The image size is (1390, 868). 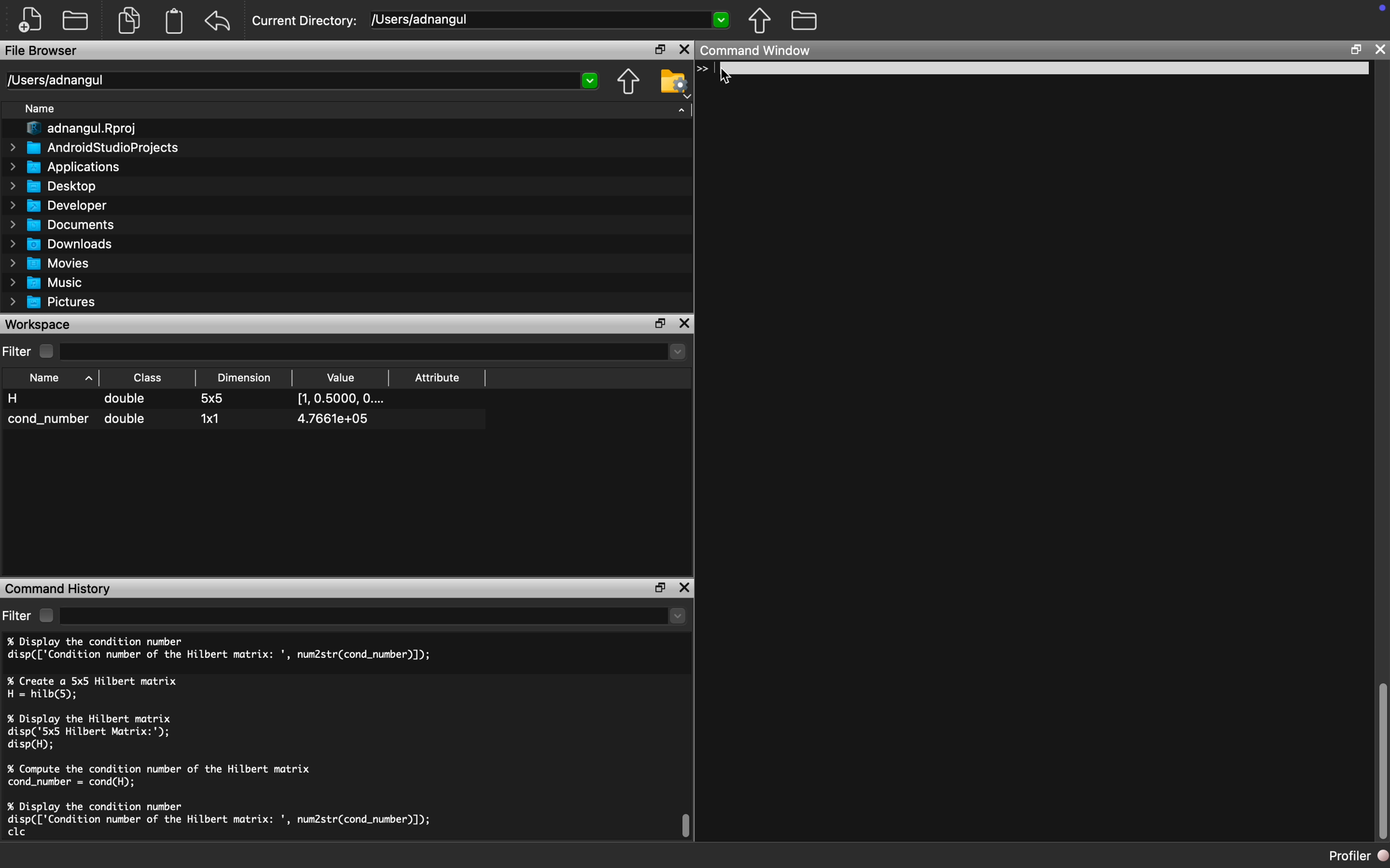 I want to click on Clipboard, so click(x=175, y=20).